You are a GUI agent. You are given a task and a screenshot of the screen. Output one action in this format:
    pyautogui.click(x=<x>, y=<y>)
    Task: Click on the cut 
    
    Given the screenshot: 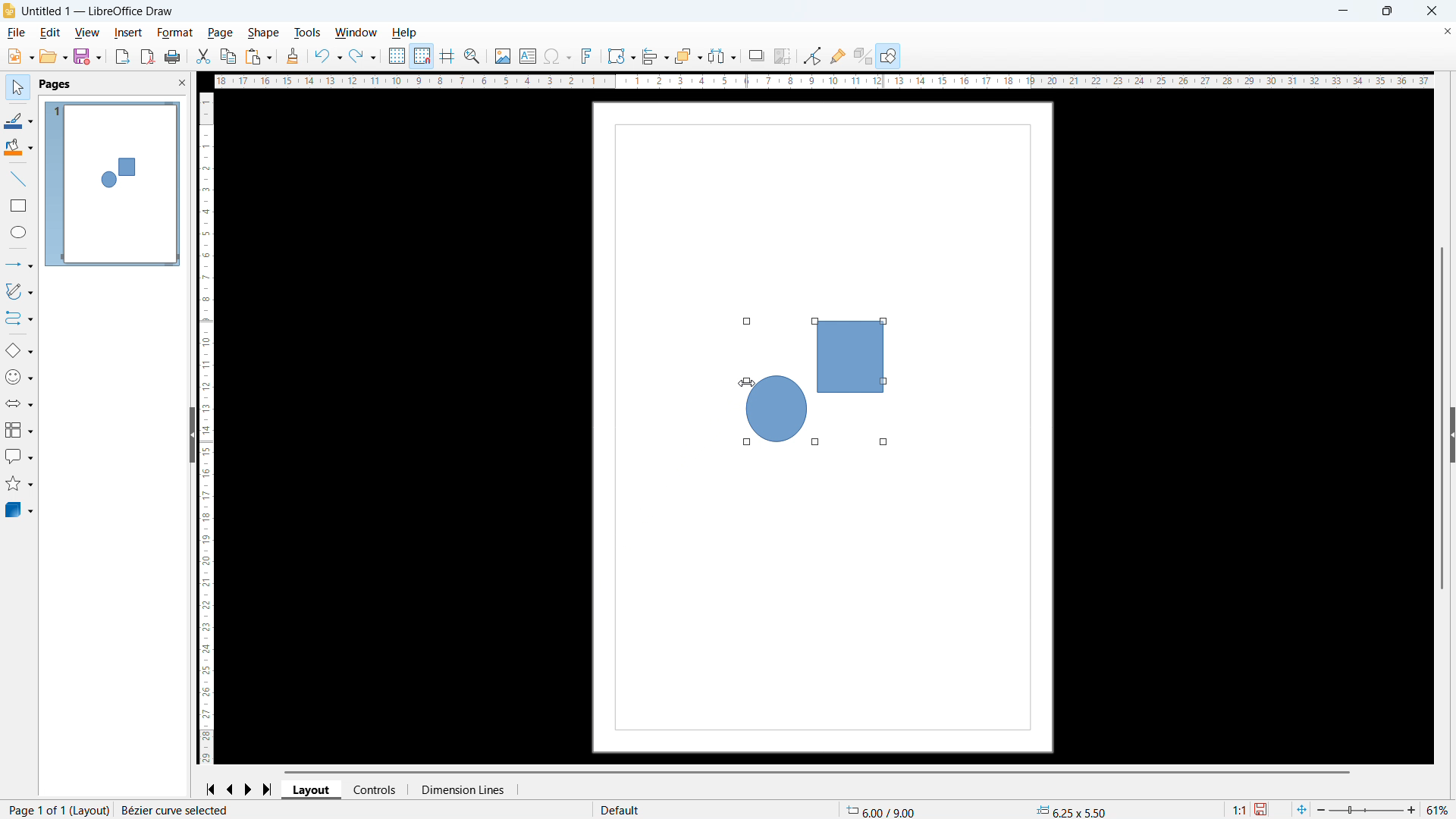 What is the action you would take?
    pyautogui.click(x=203, y=56)
    